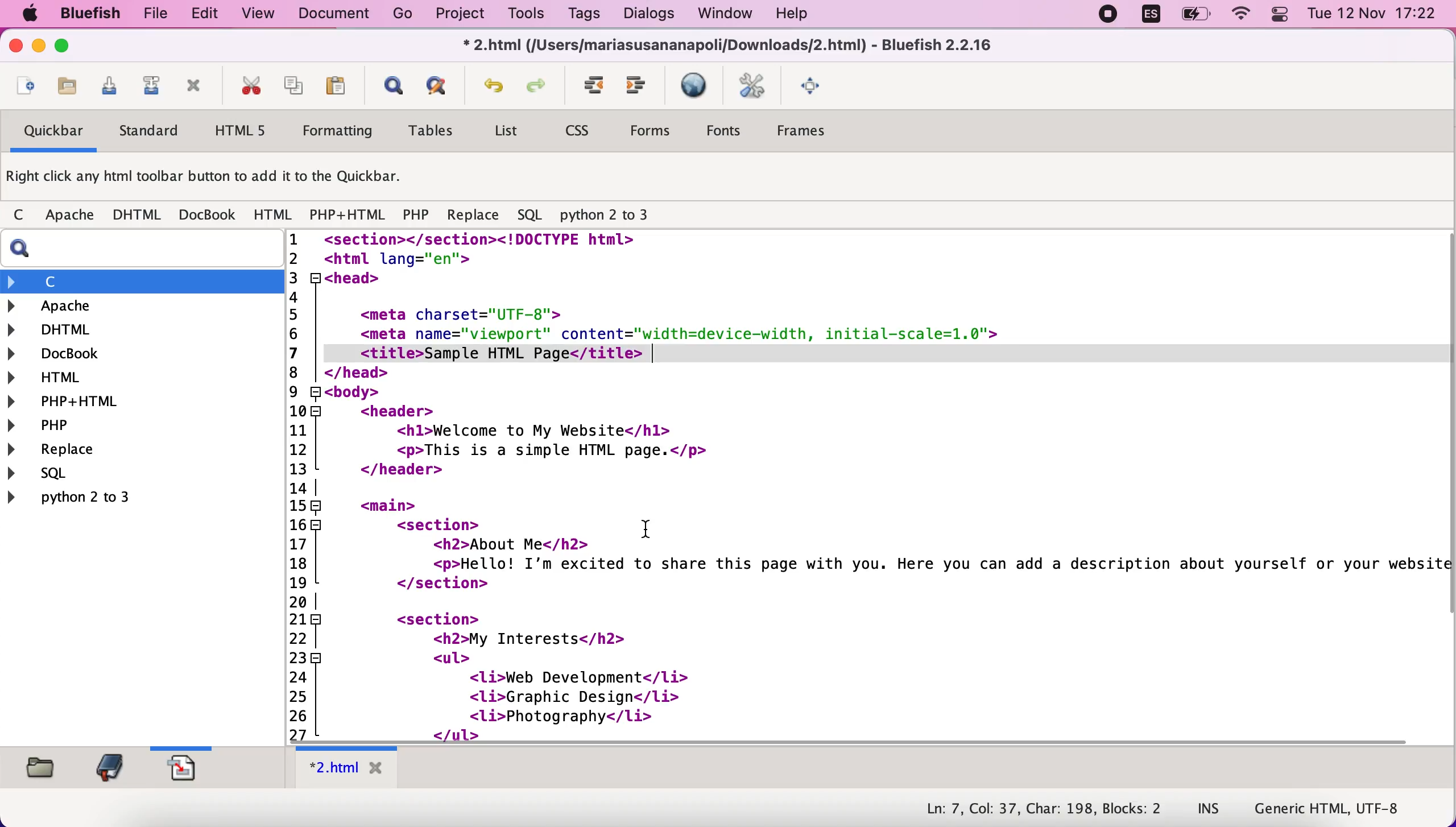 The height and width of the screenshot is (827, 1456). Describe the element at coordinates (584, 15) in the screenshot. I see `tags` at that location.